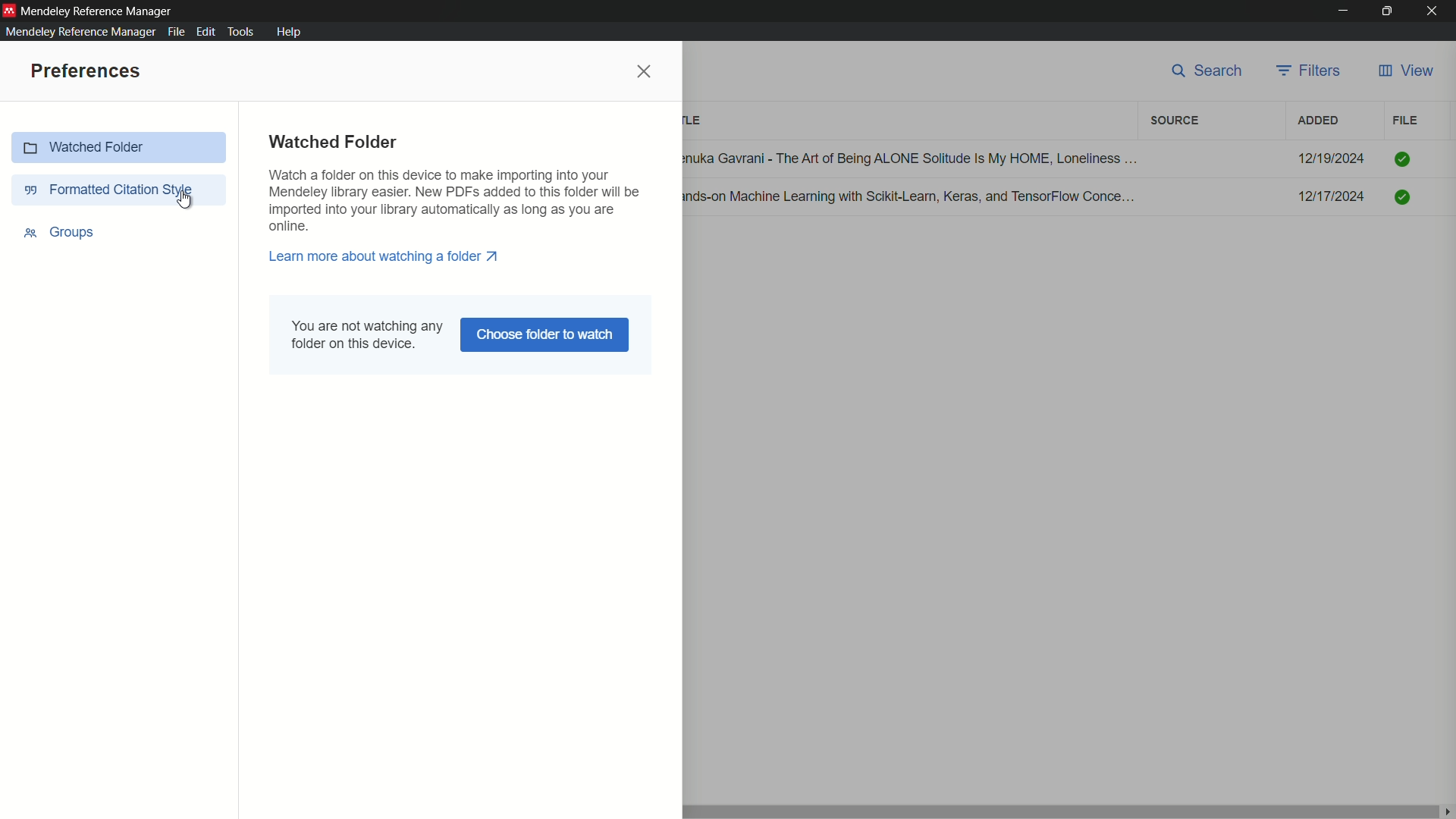 The width and height of the screenshot is (1456, 819). Describe the element at coordinates (187, 201) in the screenshot. I see `cursor` at that location.